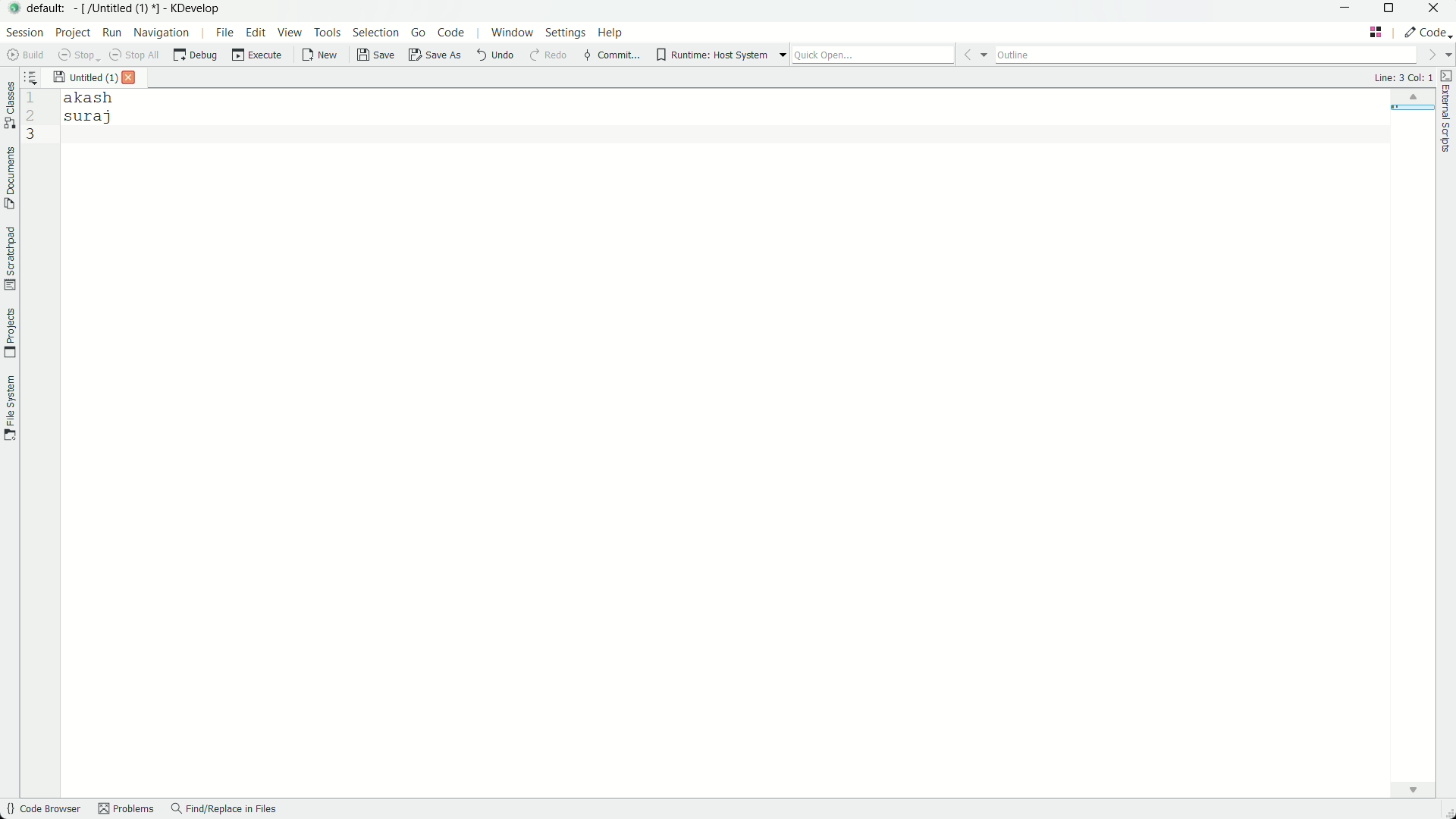  Describe the element at coordinates (224, 33) in the screenshot. I see `file menu` at that location.